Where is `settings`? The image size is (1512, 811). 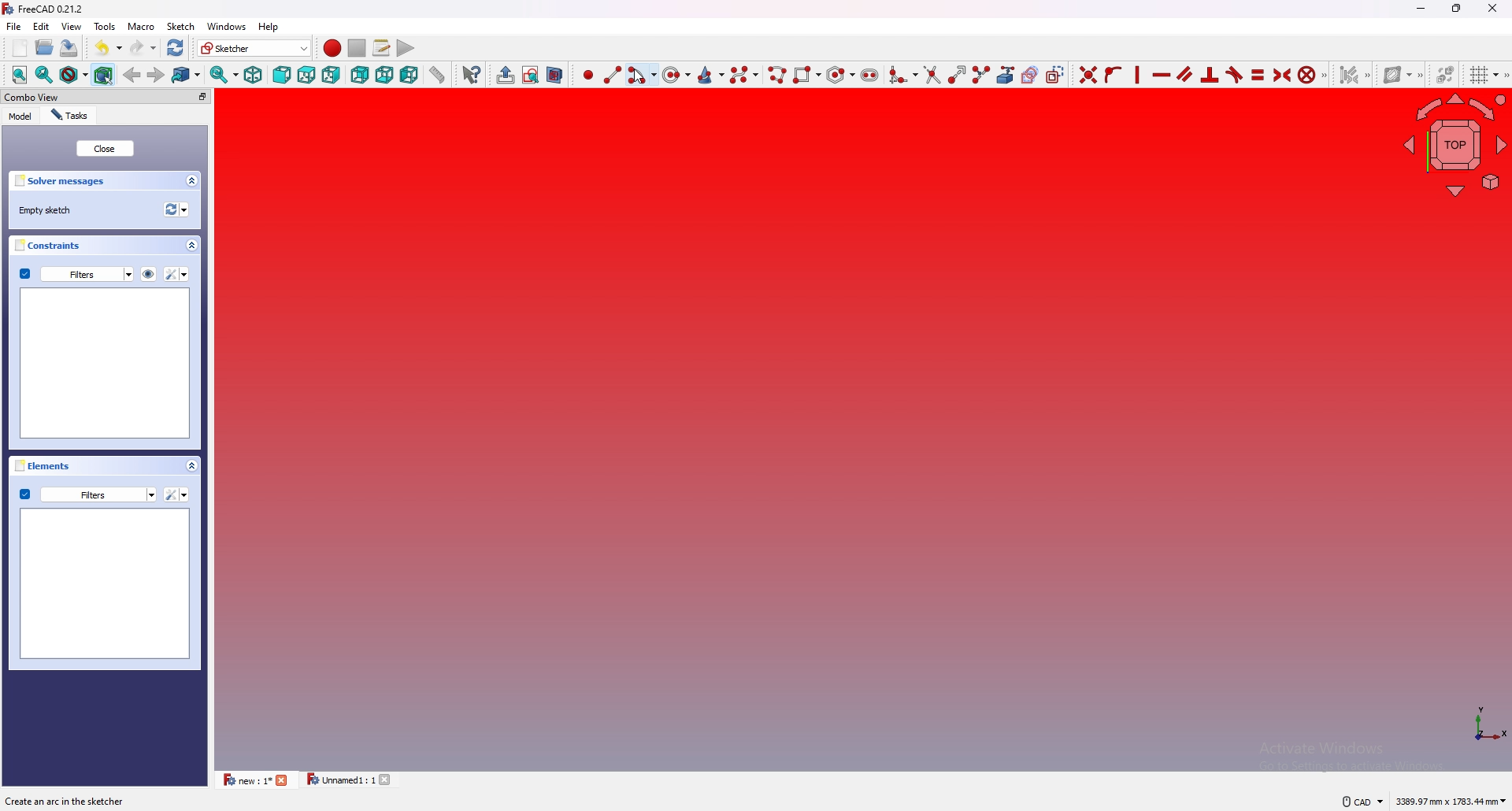 settings is located at coordinates (176, 494).